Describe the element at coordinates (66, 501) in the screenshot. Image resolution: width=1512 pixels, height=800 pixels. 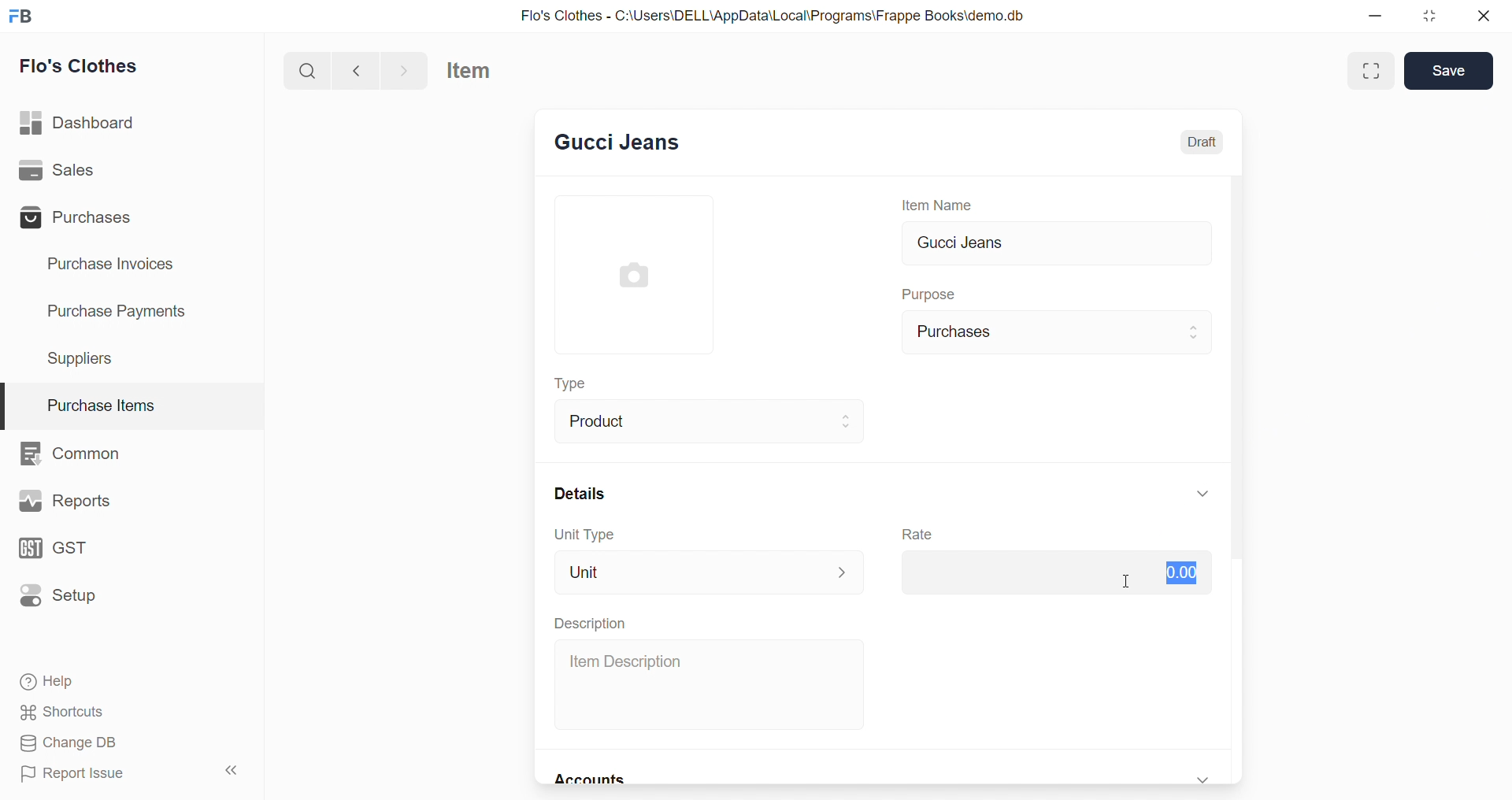
I see `Reports` at that location.